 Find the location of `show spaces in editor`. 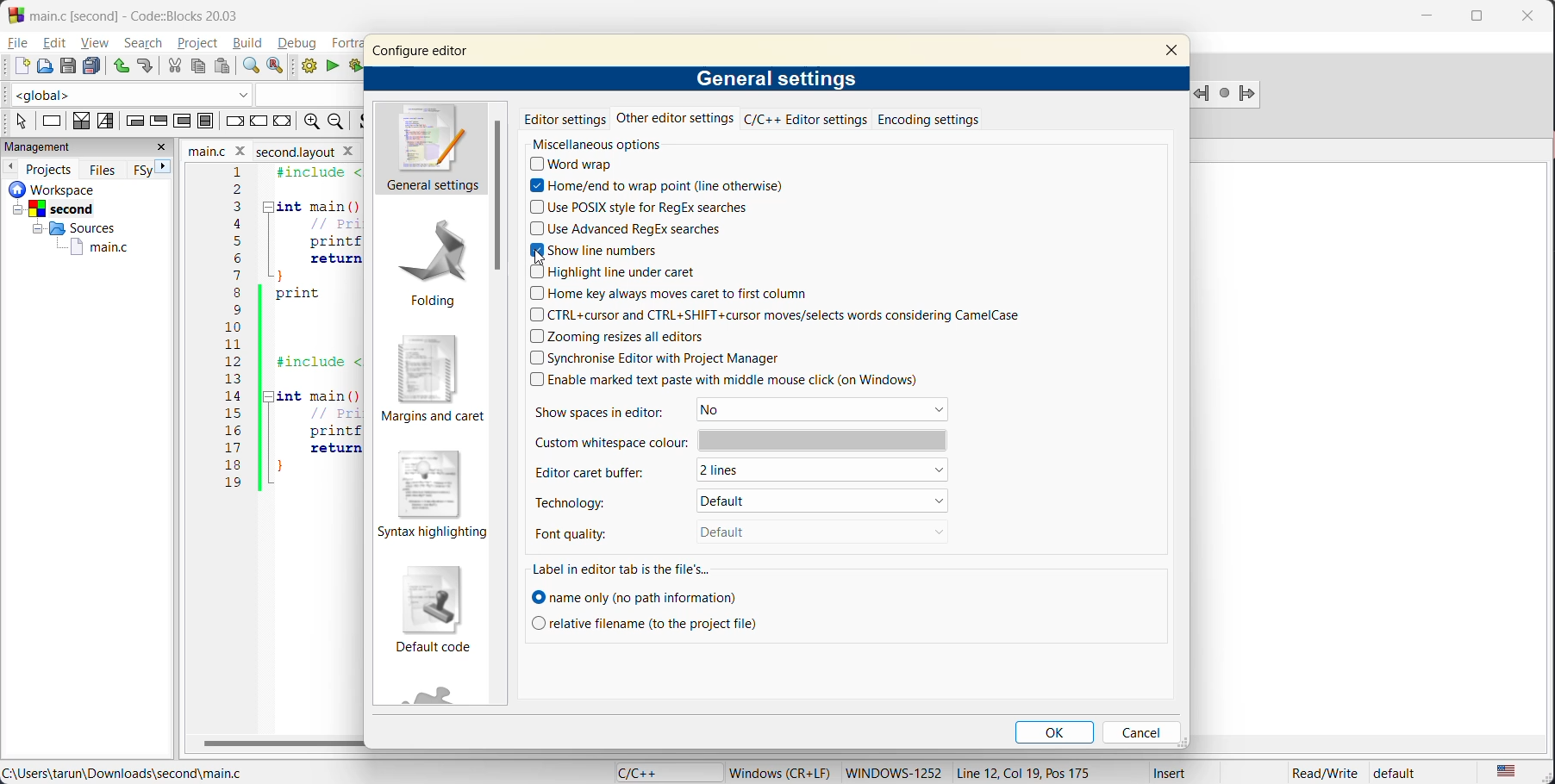

show spaces in editor is located at coordinates (611, 411).